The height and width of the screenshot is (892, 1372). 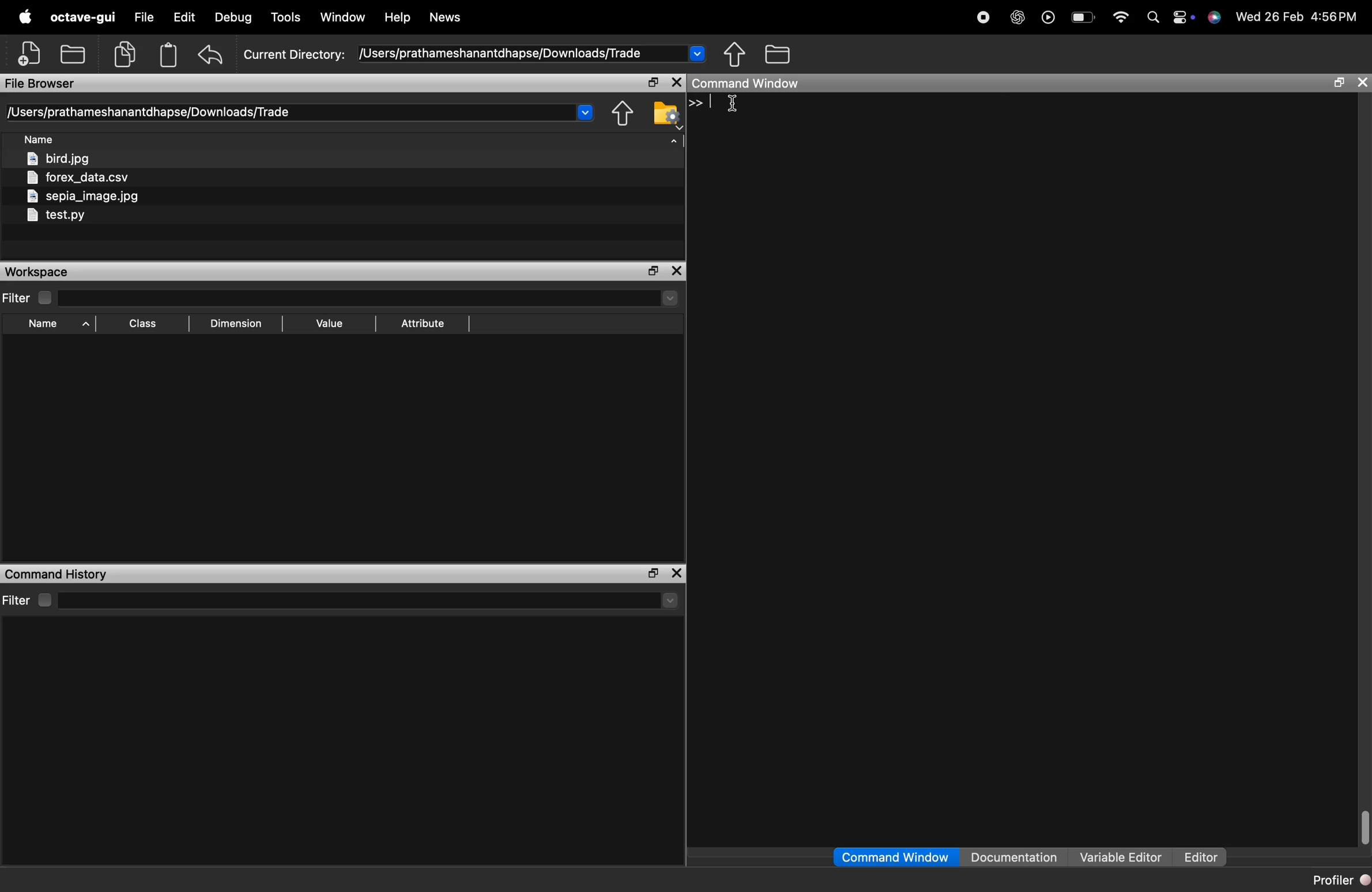 I want to click on Value, so click(x=329, y=323).